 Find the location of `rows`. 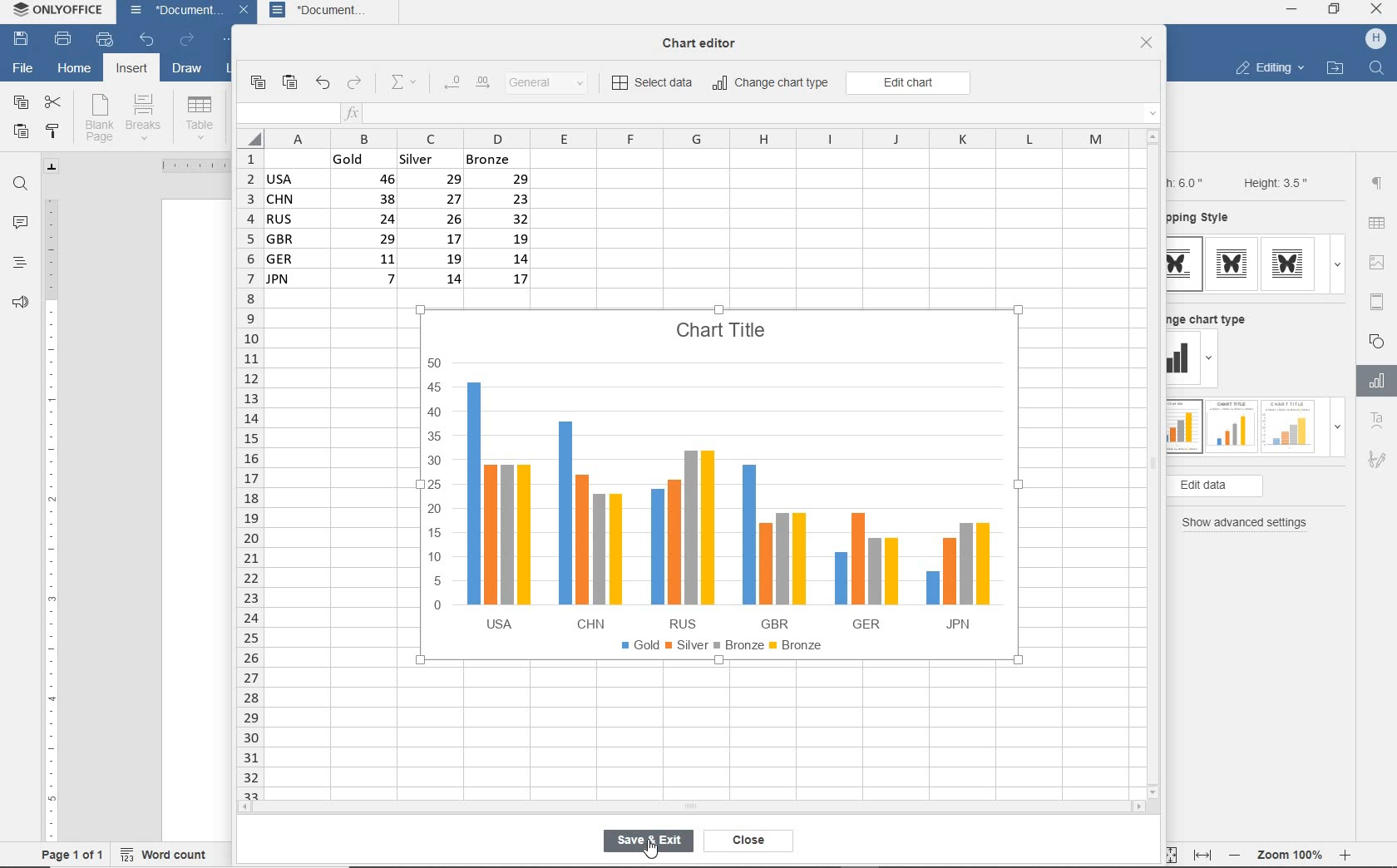

rows is located at coordinates (248, 473).